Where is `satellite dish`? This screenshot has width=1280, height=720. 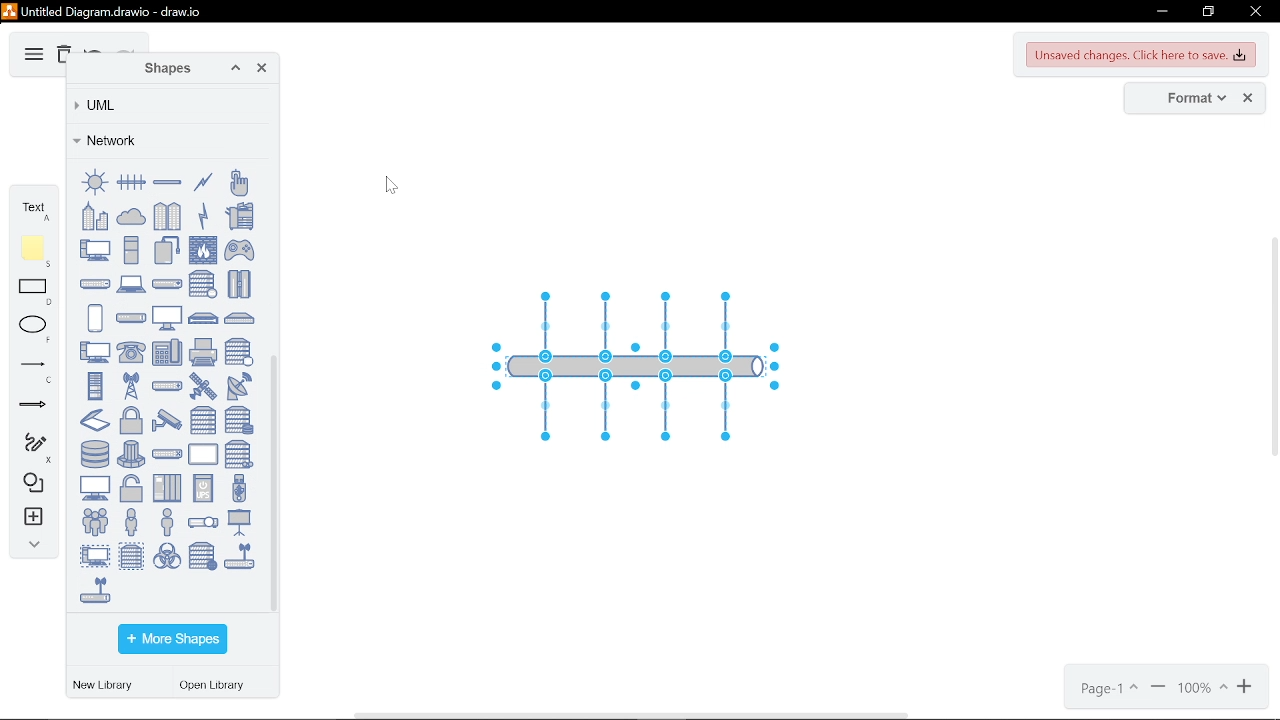 satellite dish is located at coordinates (239, 386).